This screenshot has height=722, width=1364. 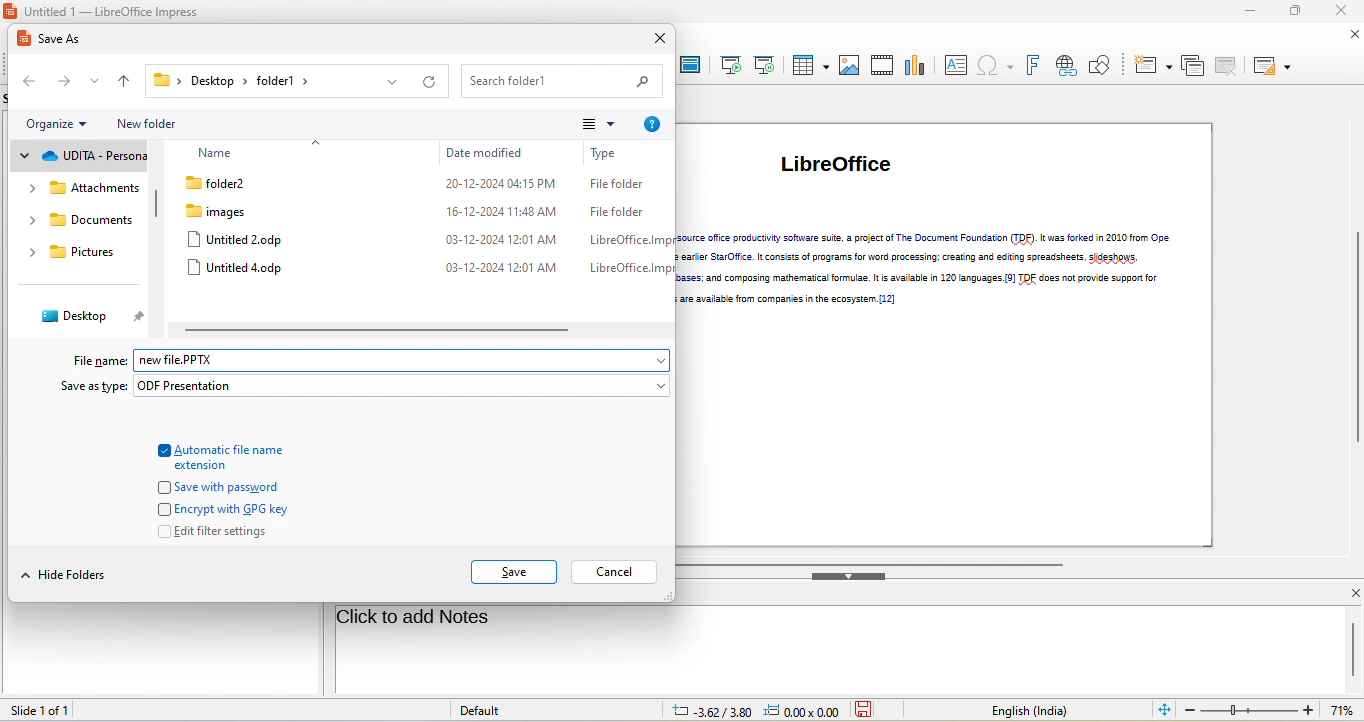 What do you see at coordinates (231, 182) in the screenshot?
I see `folder 2` at bounding box center [231, 182].